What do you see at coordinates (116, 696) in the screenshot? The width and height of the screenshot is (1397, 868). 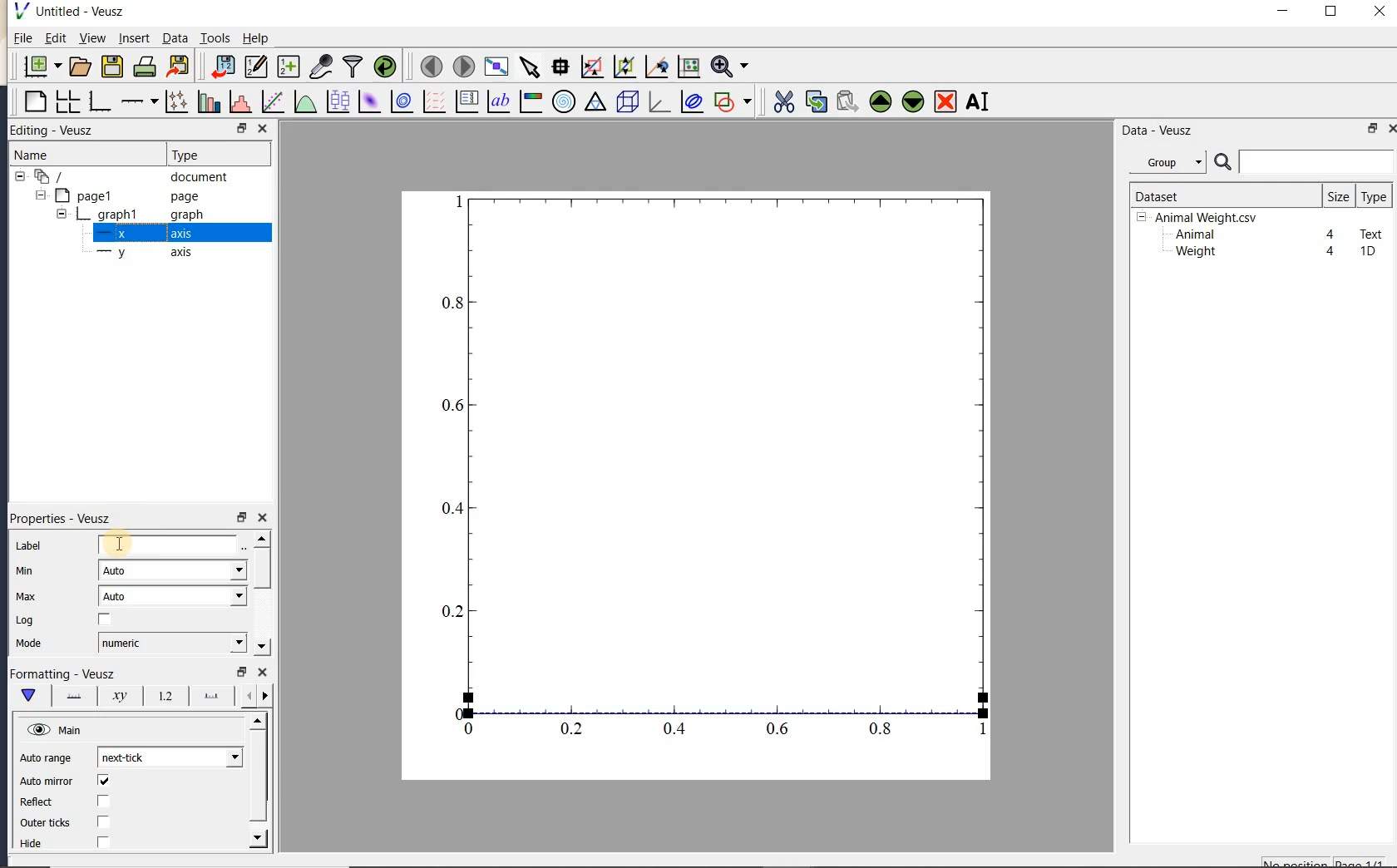 I see `axis label` at bounding box center [116, 696].